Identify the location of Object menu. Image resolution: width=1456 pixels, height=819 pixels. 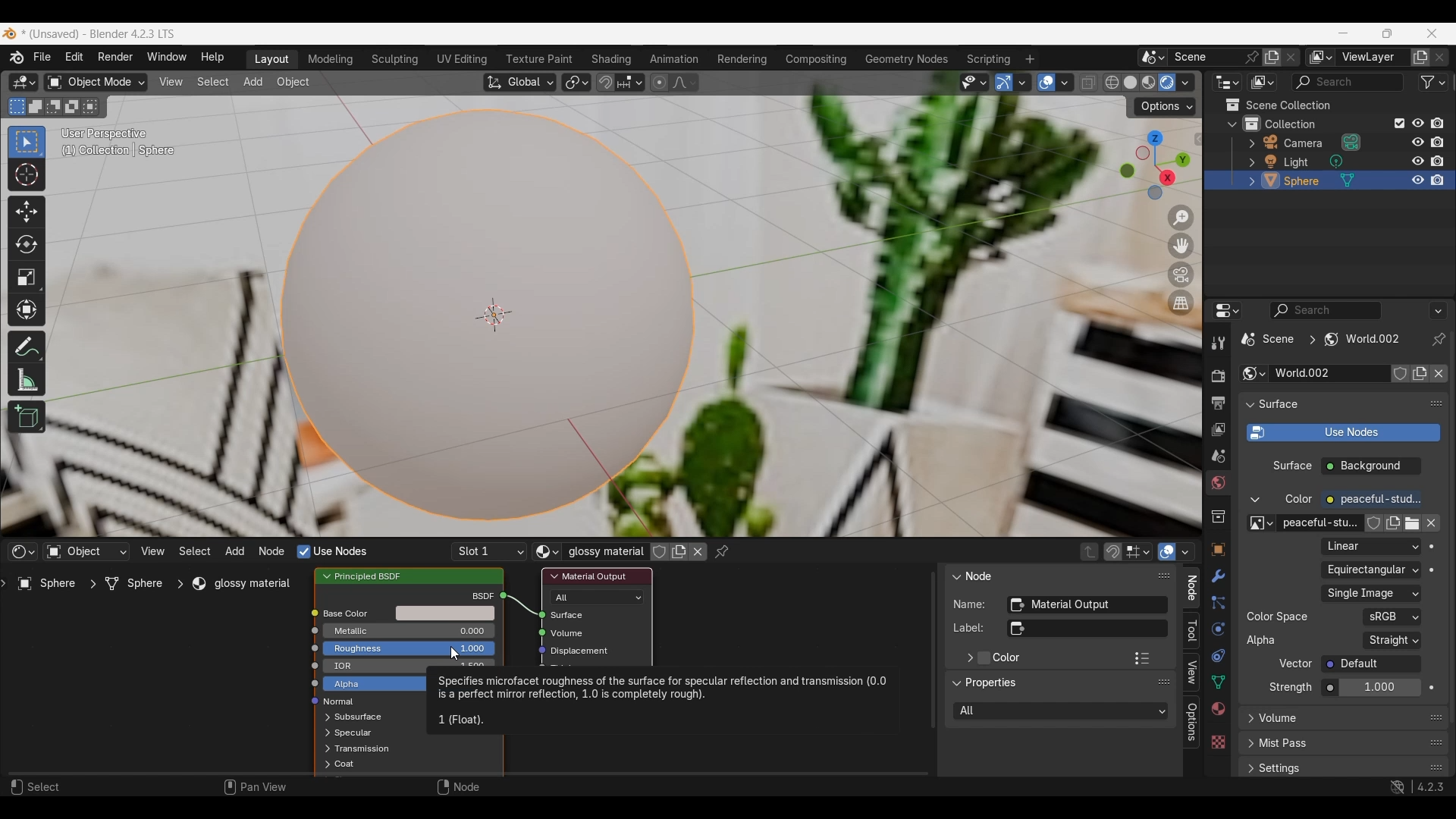
(293, 83).